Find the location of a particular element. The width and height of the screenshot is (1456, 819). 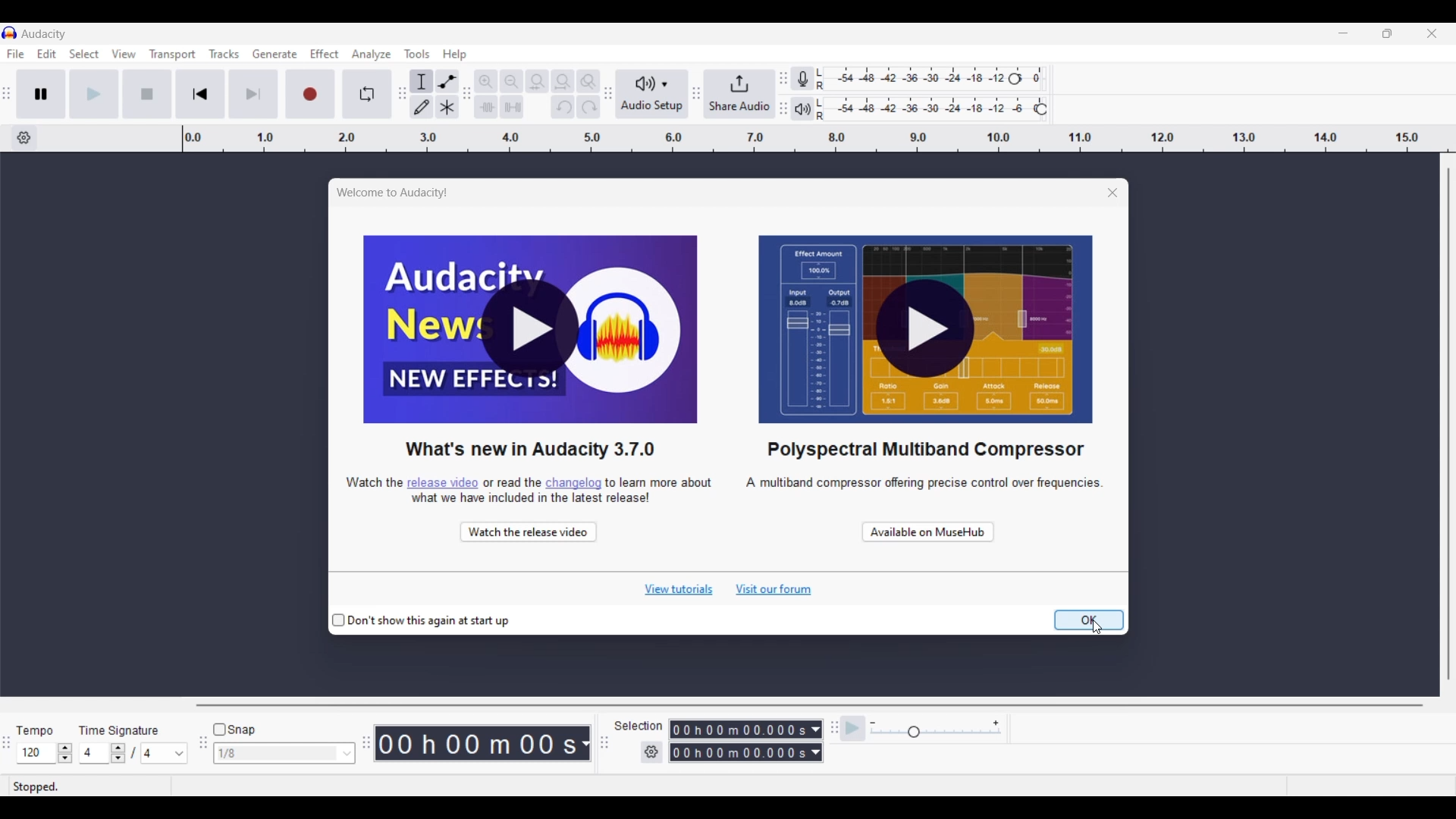

Edit menu is located at coordinates (47, 54).